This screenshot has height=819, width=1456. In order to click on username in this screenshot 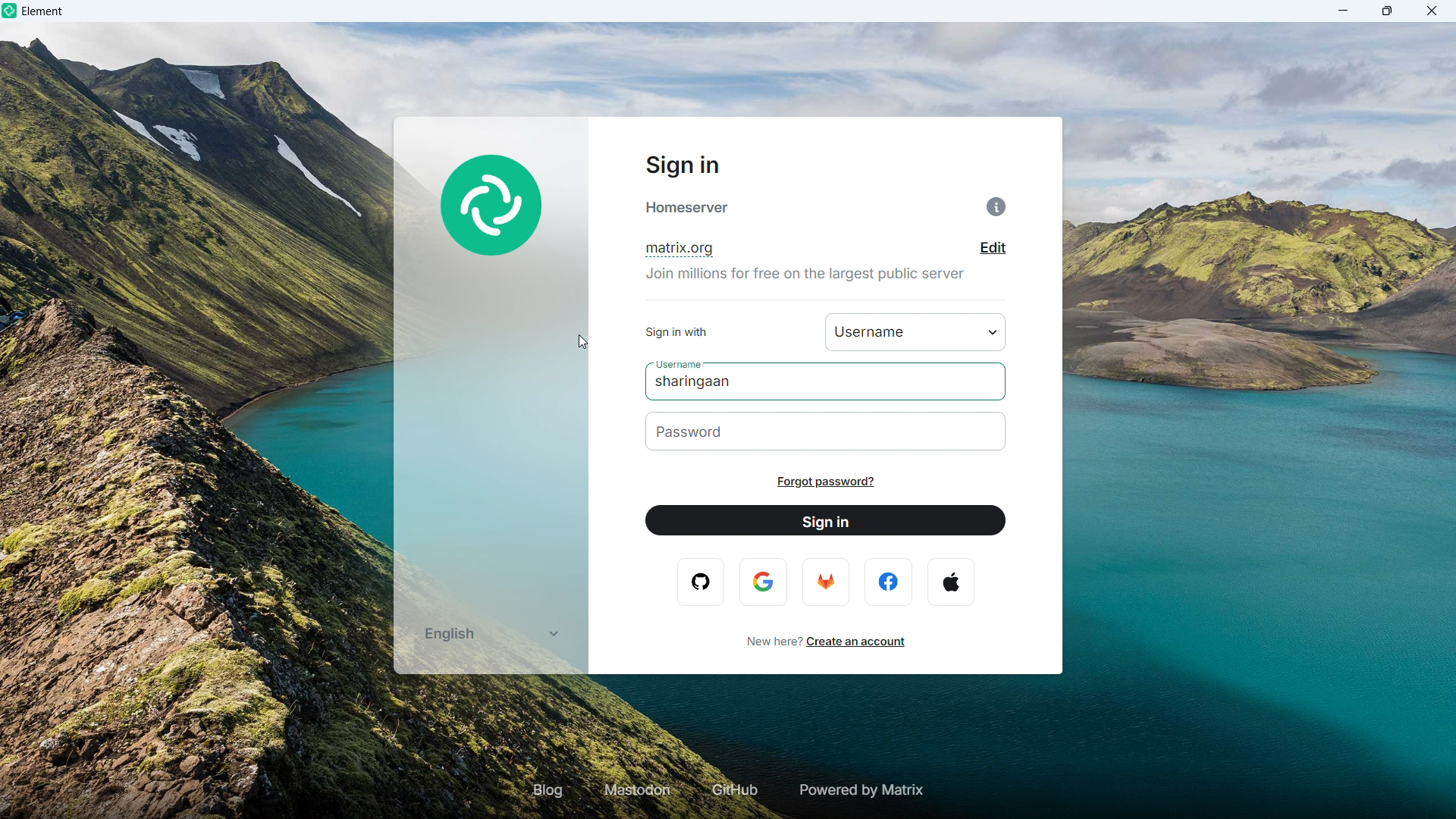, I will do `click(675, 362)`.